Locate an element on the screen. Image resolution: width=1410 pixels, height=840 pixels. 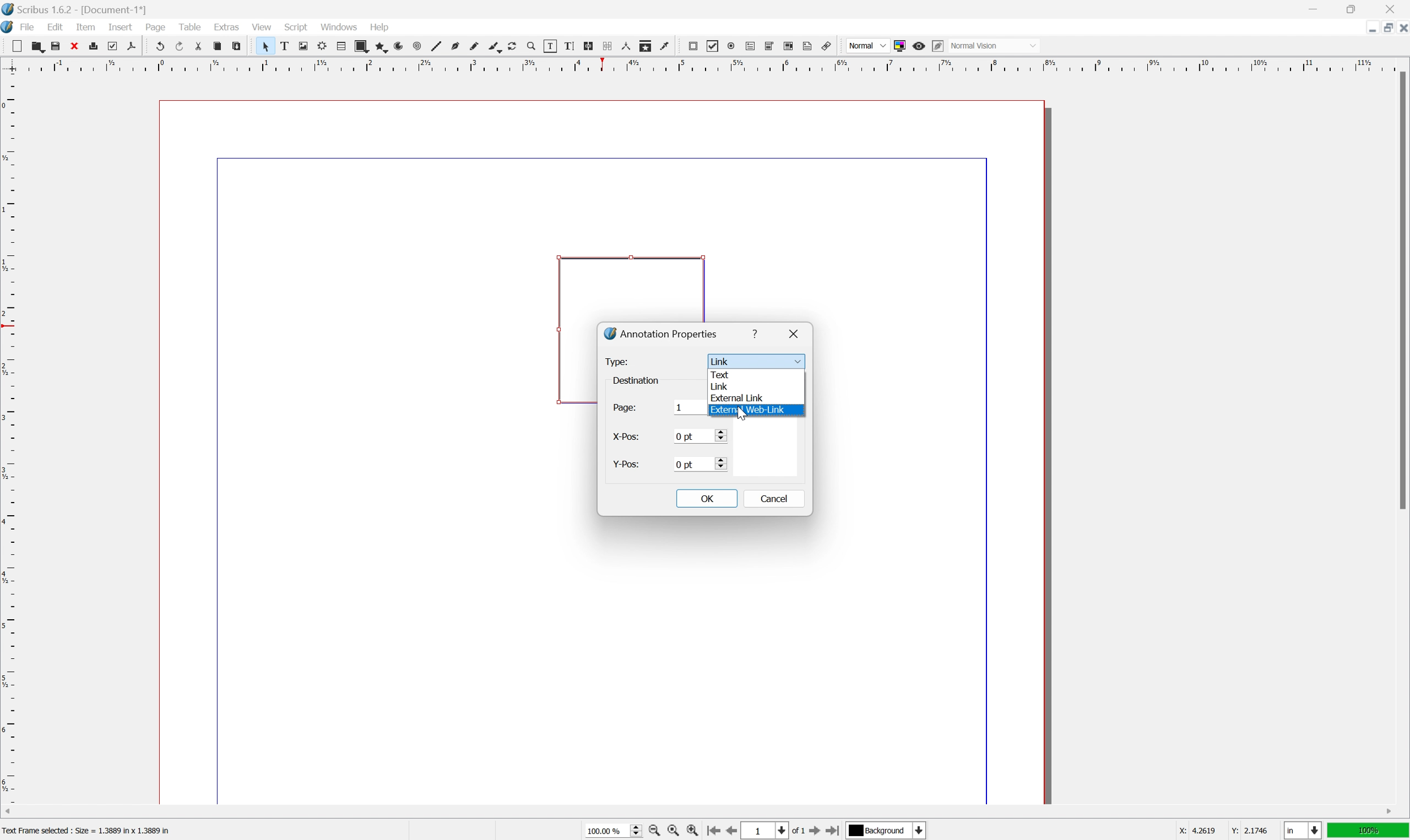
cancel is located at coordinates (772, 499).